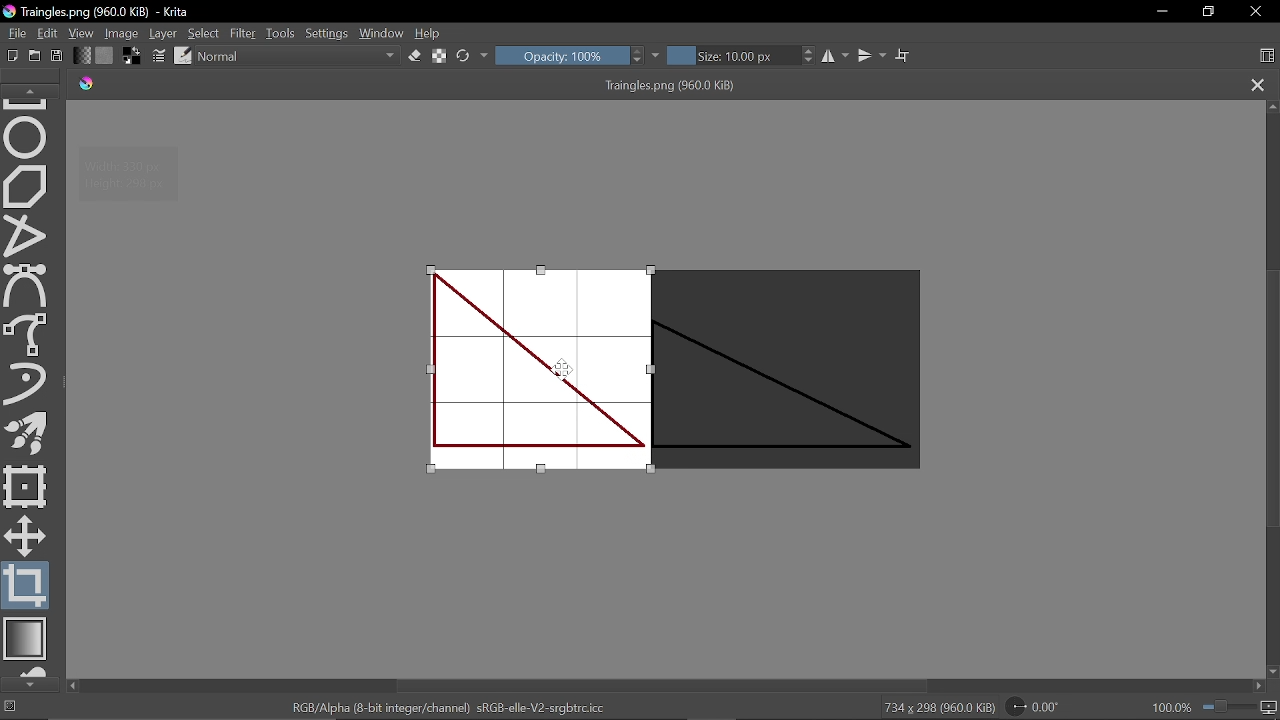 The image size is (1280, 720). What do you see at coordinates (1162, 13) in the screenshot?
I see `Minimize` at bounding box center [1162, 13].